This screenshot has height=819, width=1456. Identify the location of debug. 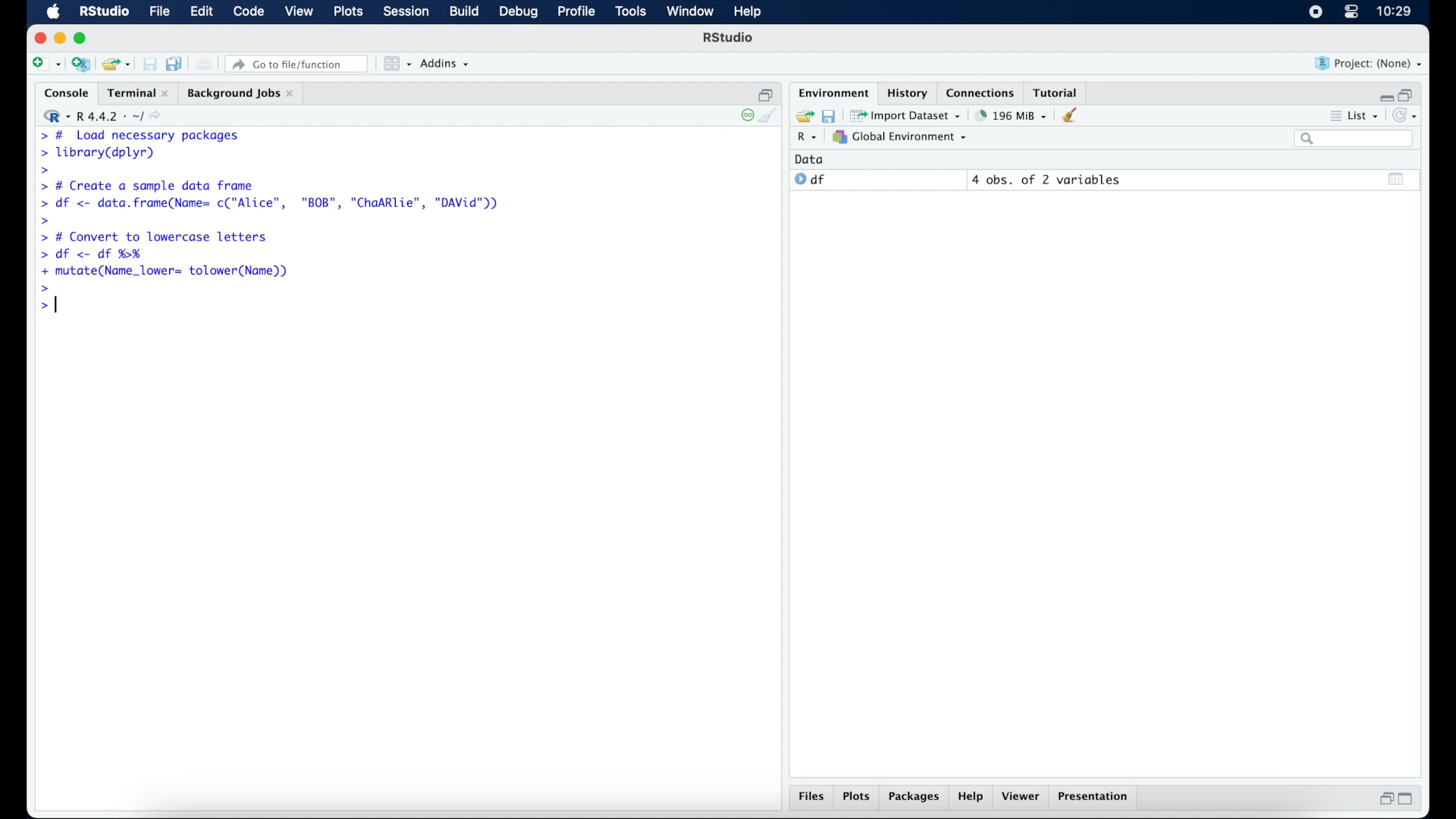
(519, 13).